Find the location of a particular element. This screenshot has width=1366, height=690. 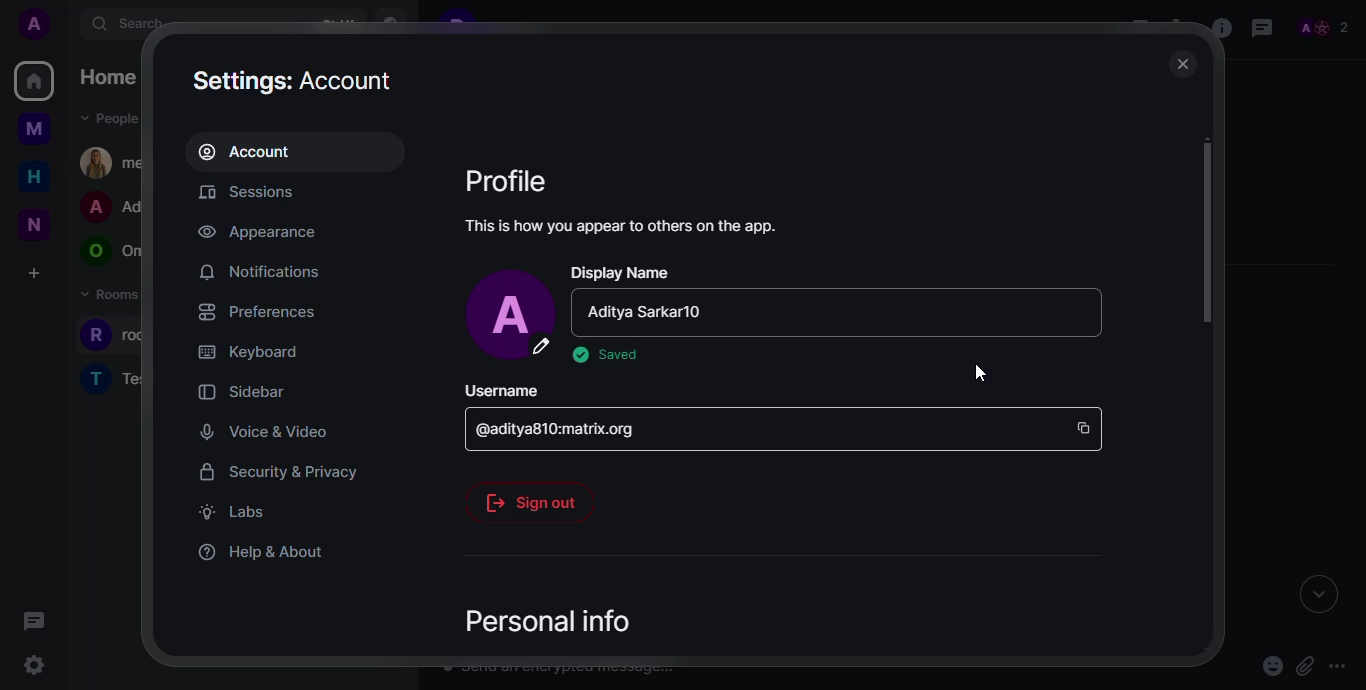

keyboard is located at coordinates (248, 350).